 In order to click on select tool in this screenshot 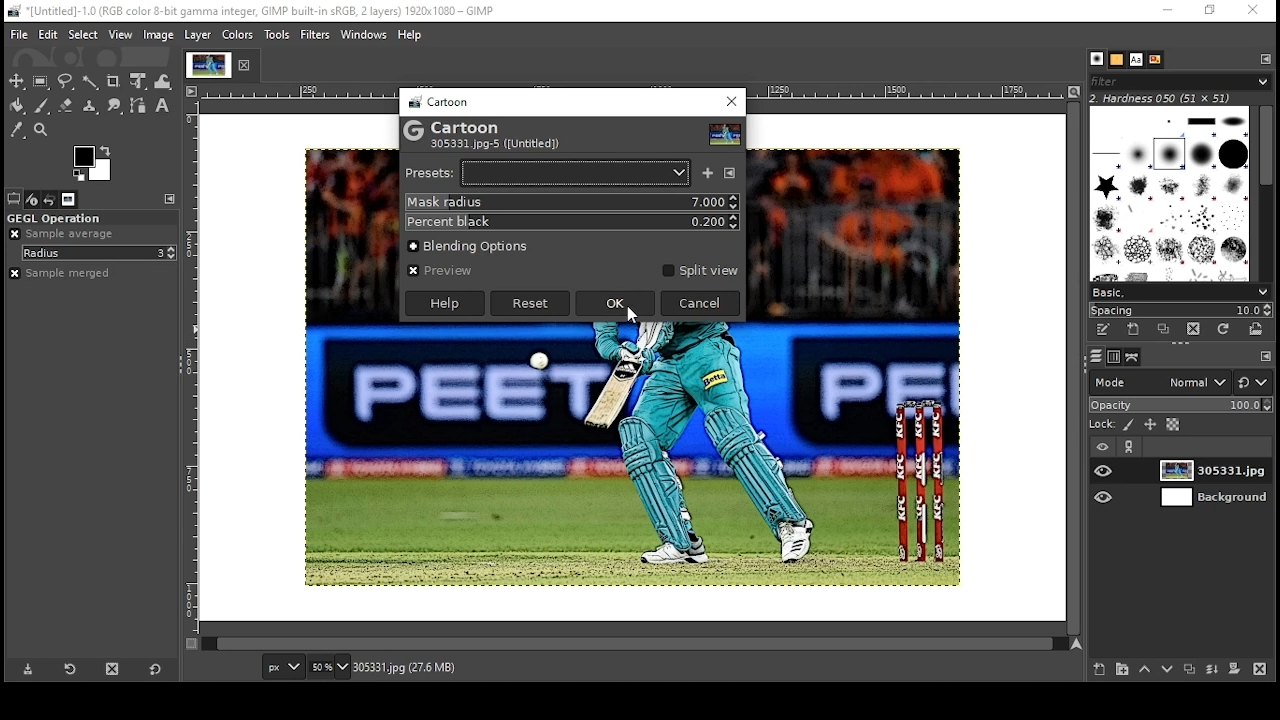, I will do `click(17, 81)`.